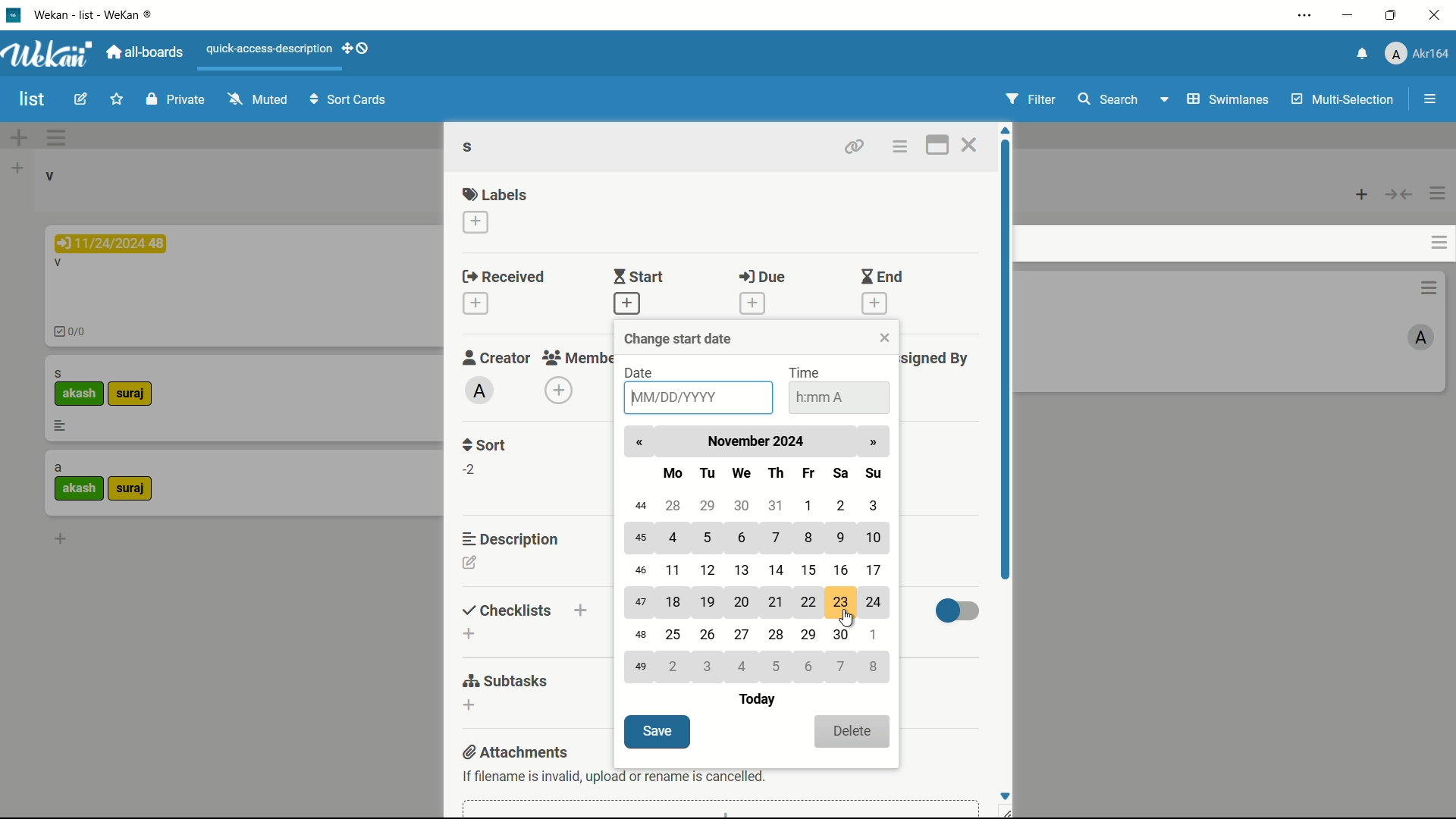  What do you see at coordinates (880, 278) in the screenshot?
I see `end` at bounding box center [880, 278].